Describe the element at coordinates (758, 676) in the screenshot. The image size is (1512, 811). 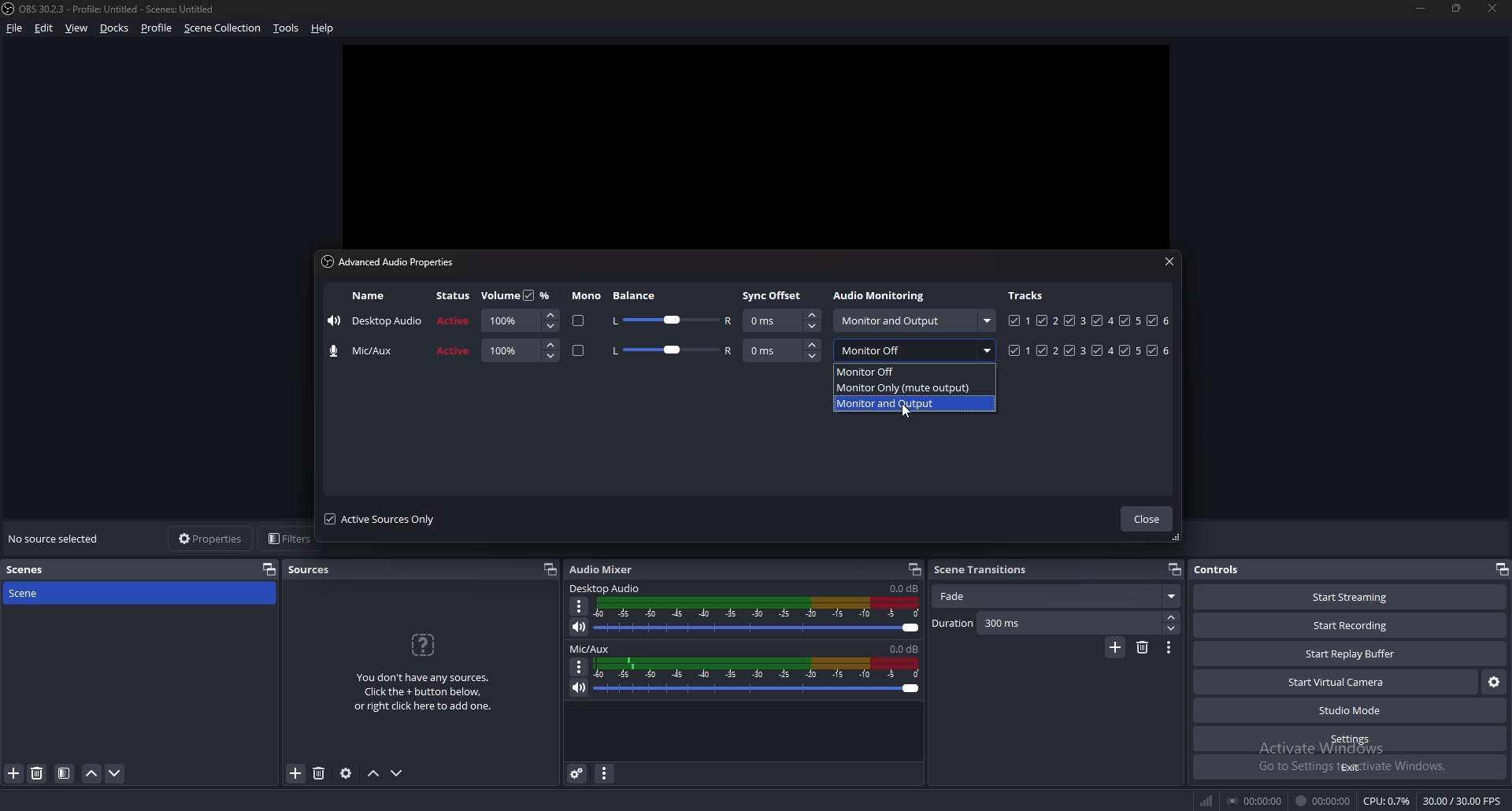
I see `volume adjust` at that location.